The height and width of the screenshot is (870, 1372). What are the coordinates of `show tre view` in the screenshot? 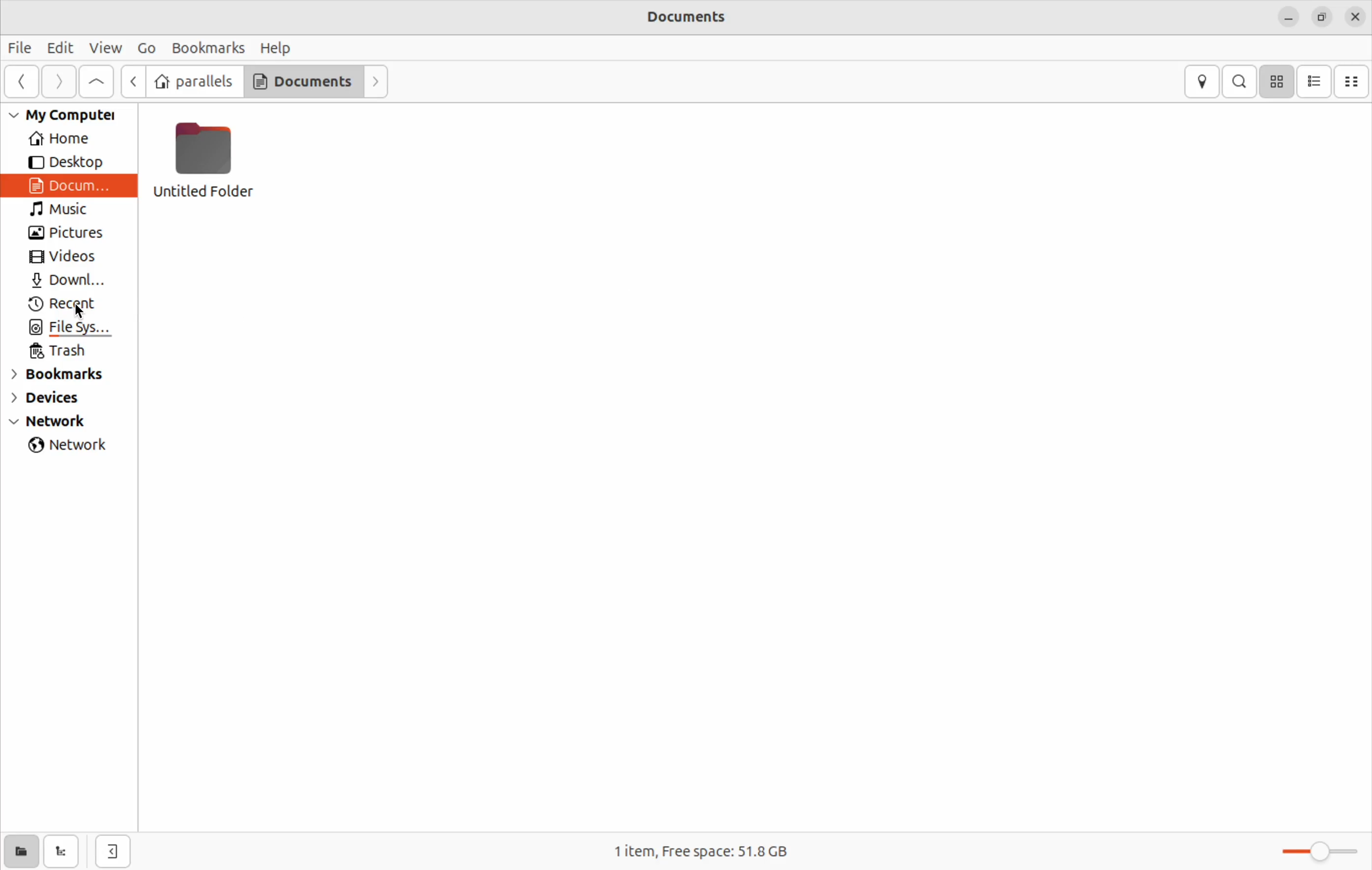 It's located at (62, 851).